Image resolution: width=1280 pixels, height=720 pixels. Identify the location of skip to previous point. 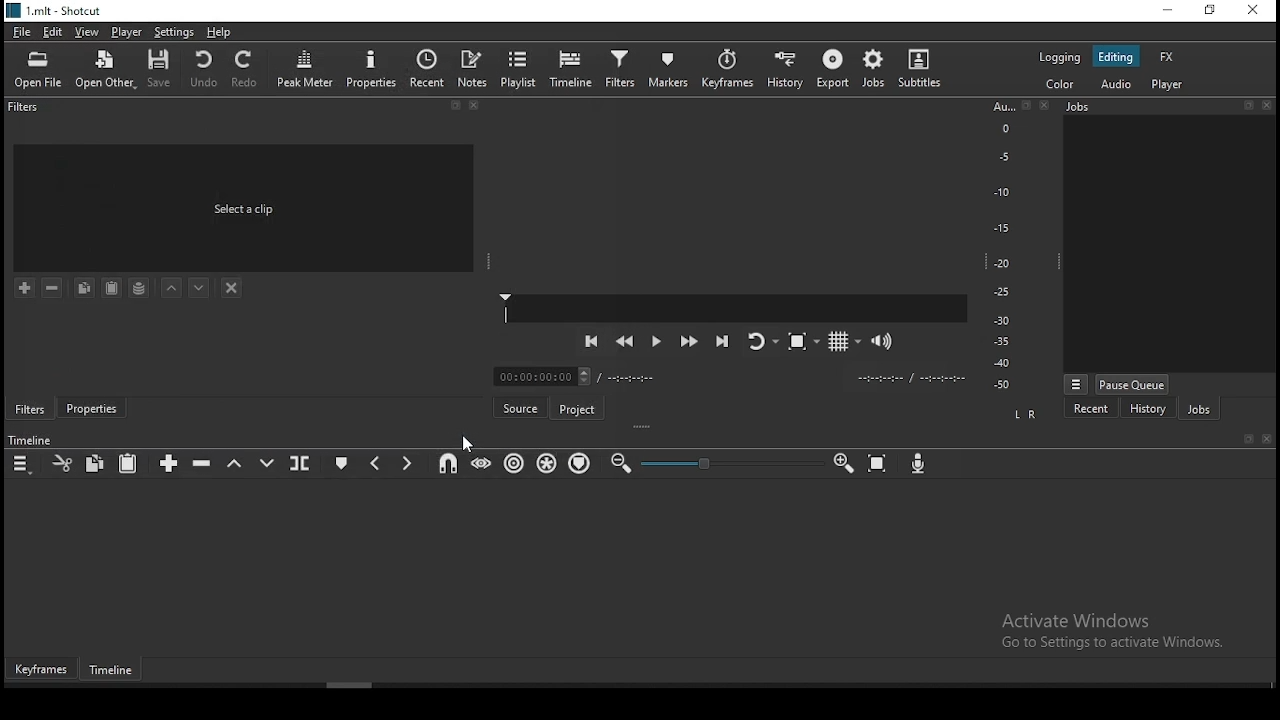
(589, 340).